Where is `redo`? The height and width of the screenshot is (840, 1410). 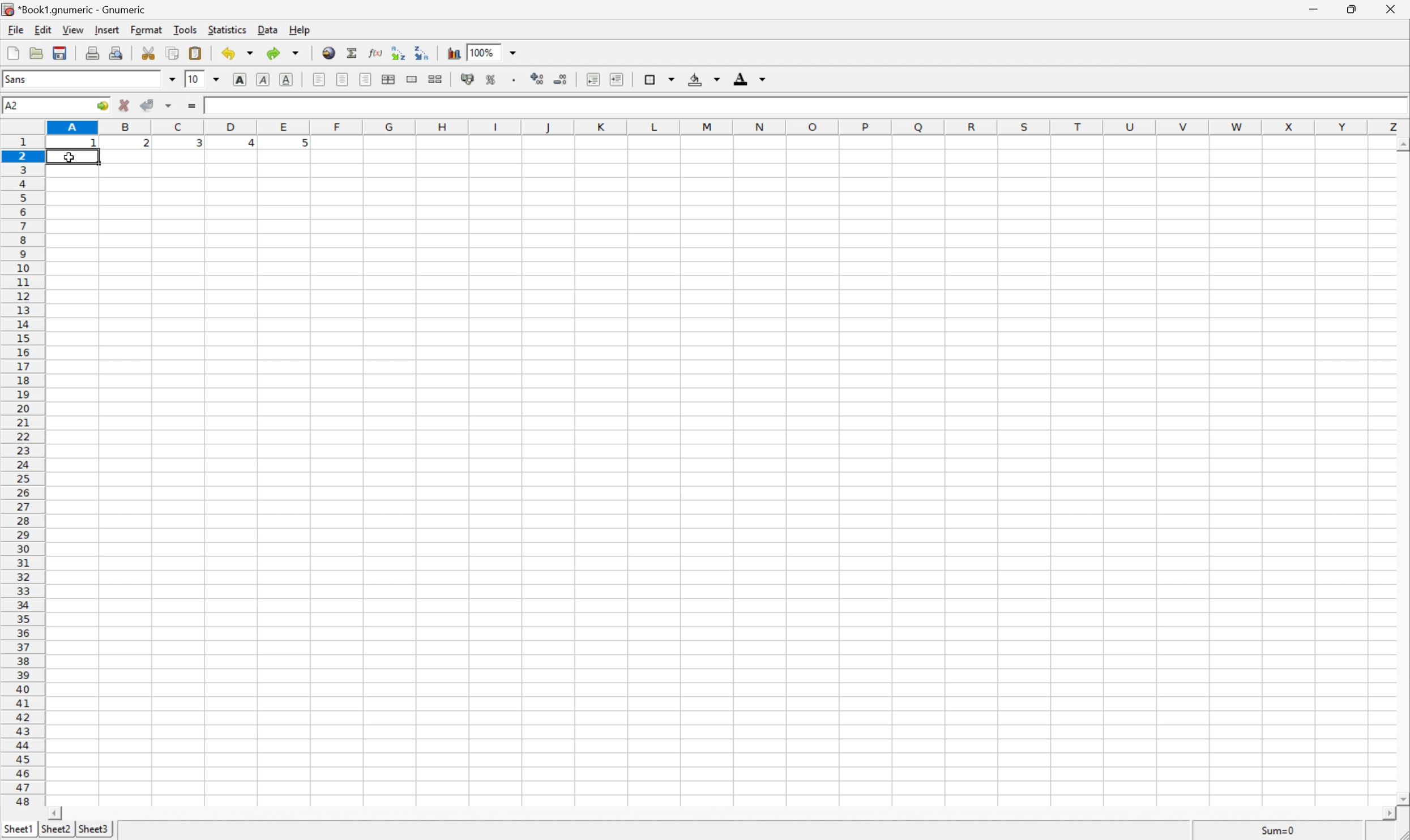
redo is located at coordinates (285, 53).